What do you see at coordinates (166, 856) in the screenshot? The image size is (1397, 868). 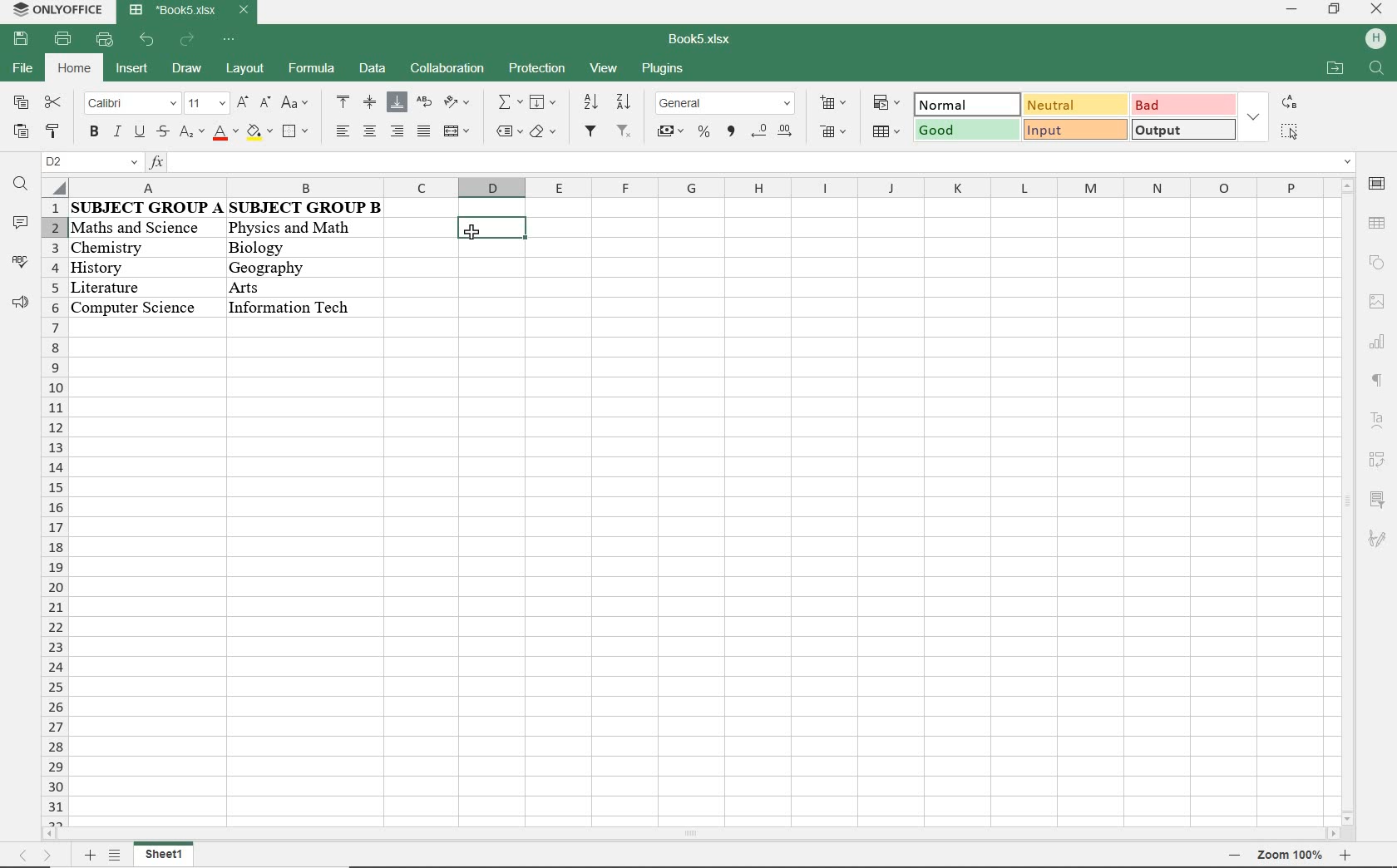 I see `sheet1` at bounding box center [166, 856].